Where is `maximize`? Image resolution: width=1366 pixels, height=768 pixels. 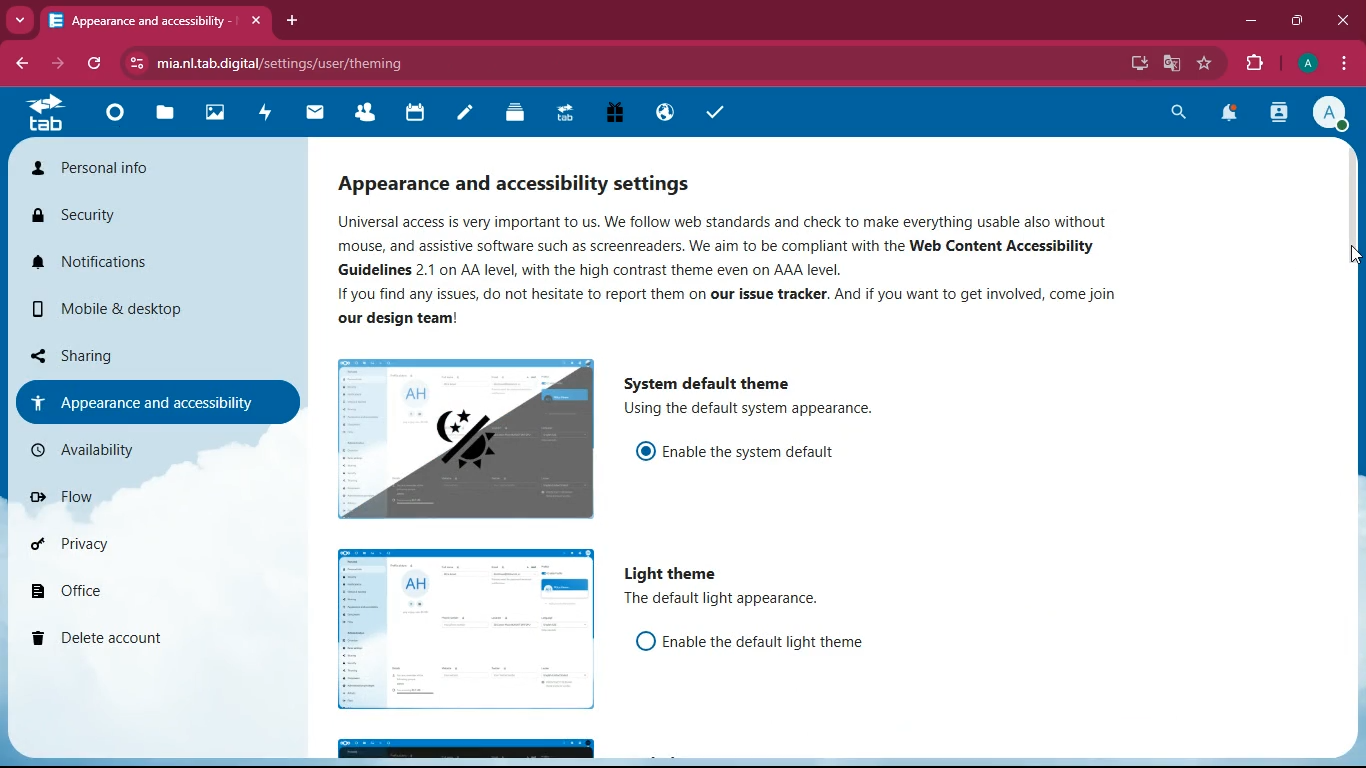
maximize is located at coordinates (1299, 17).